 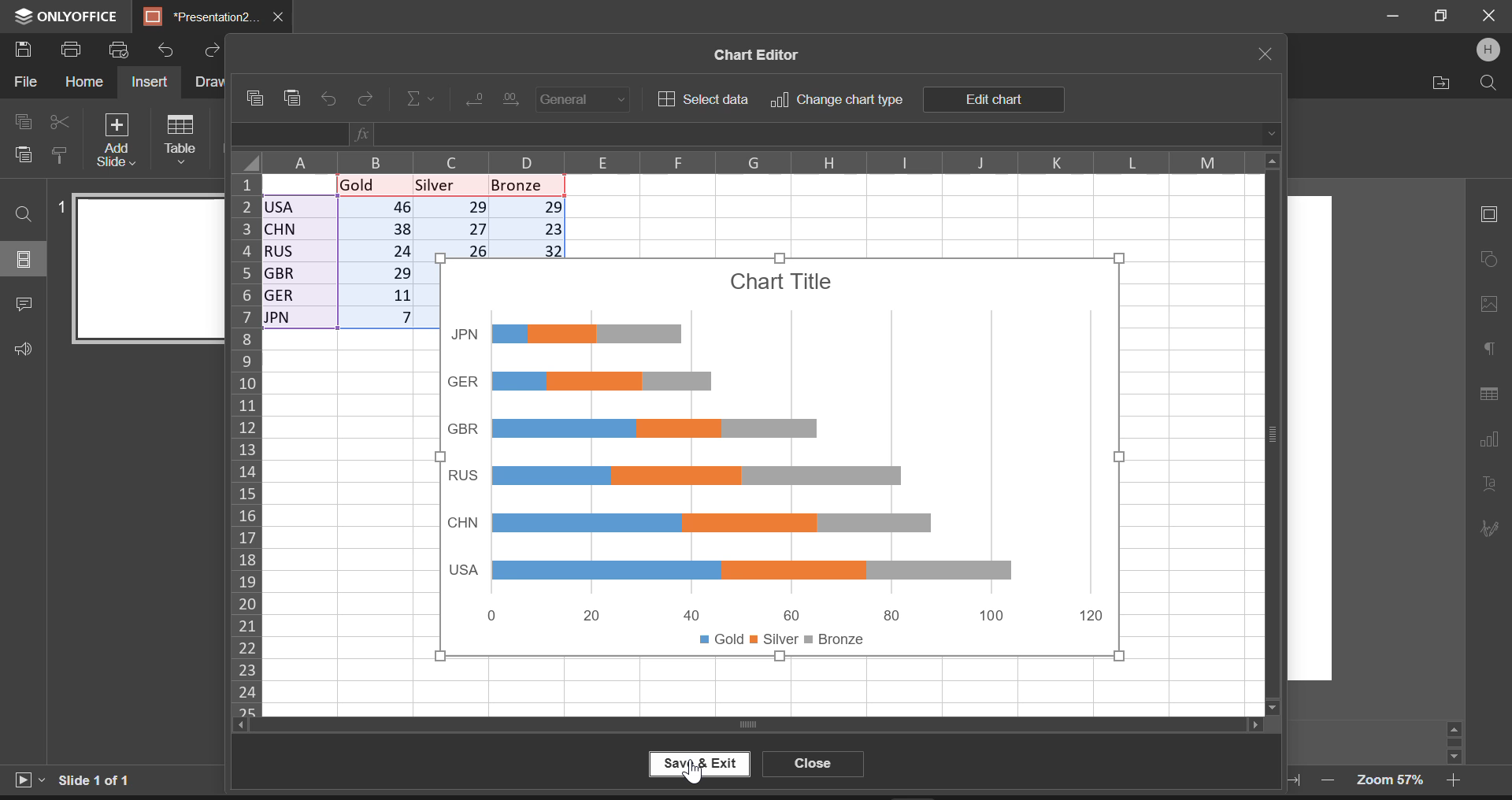 I want to click on Close, so click(x=1488, y=17).